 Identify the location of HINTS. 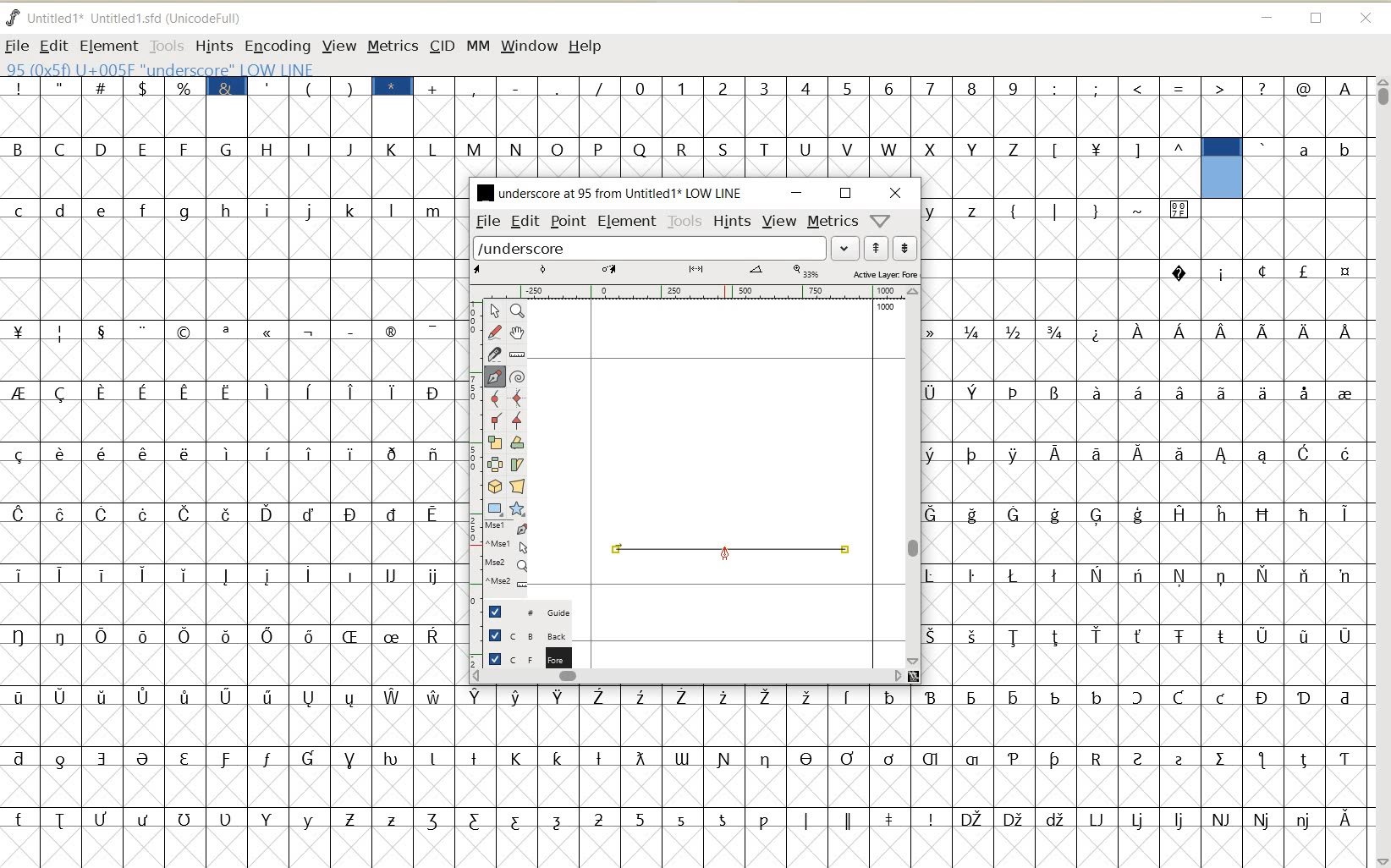
(213, 46).